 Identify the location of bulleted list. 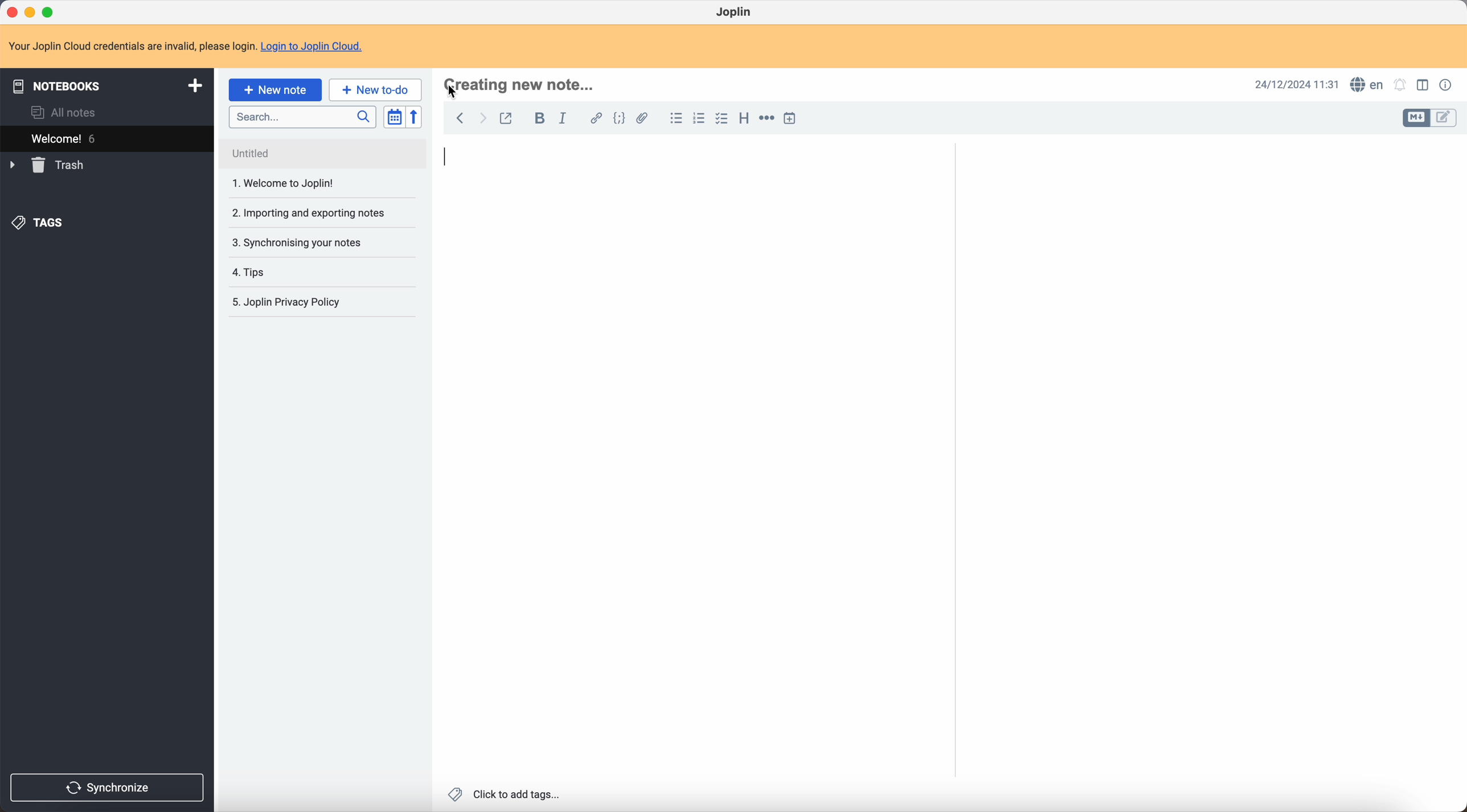
(676, 120).